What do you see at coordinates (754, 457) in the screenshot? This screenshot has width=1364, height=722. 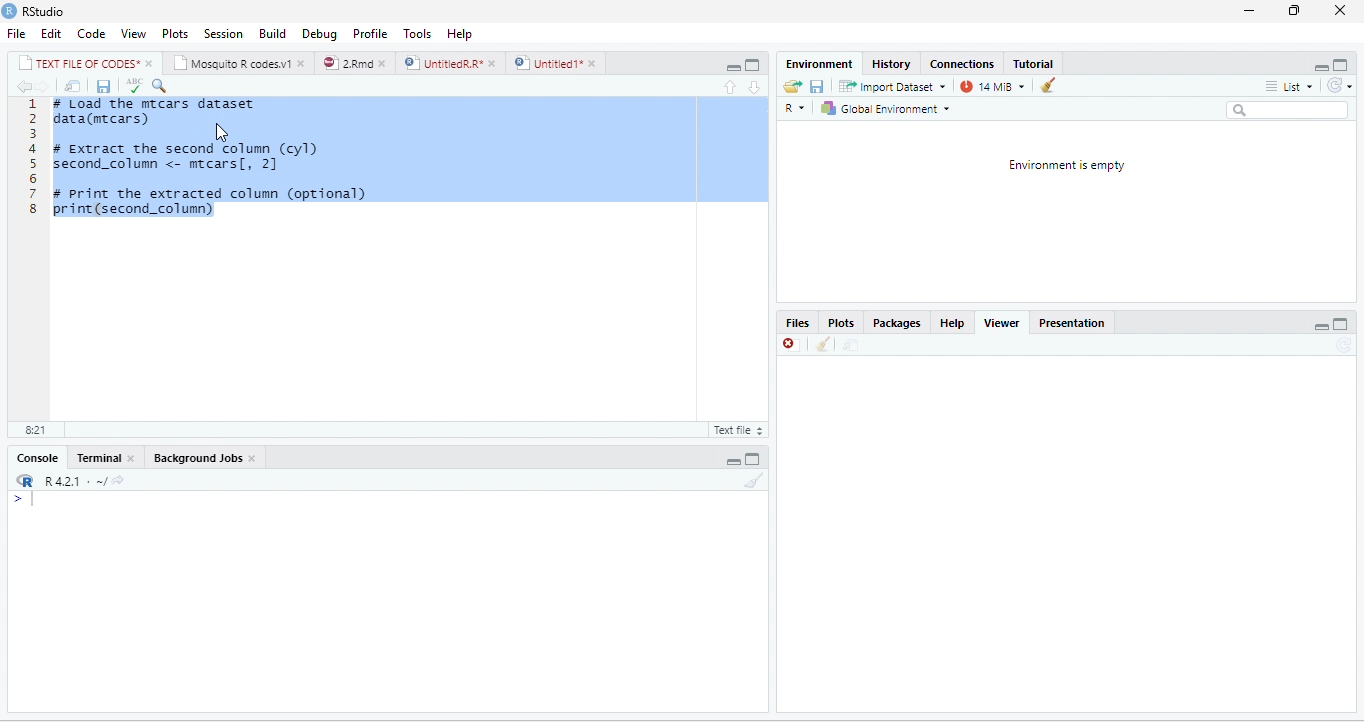 I see `maximize` at bounding box center [754, 457].